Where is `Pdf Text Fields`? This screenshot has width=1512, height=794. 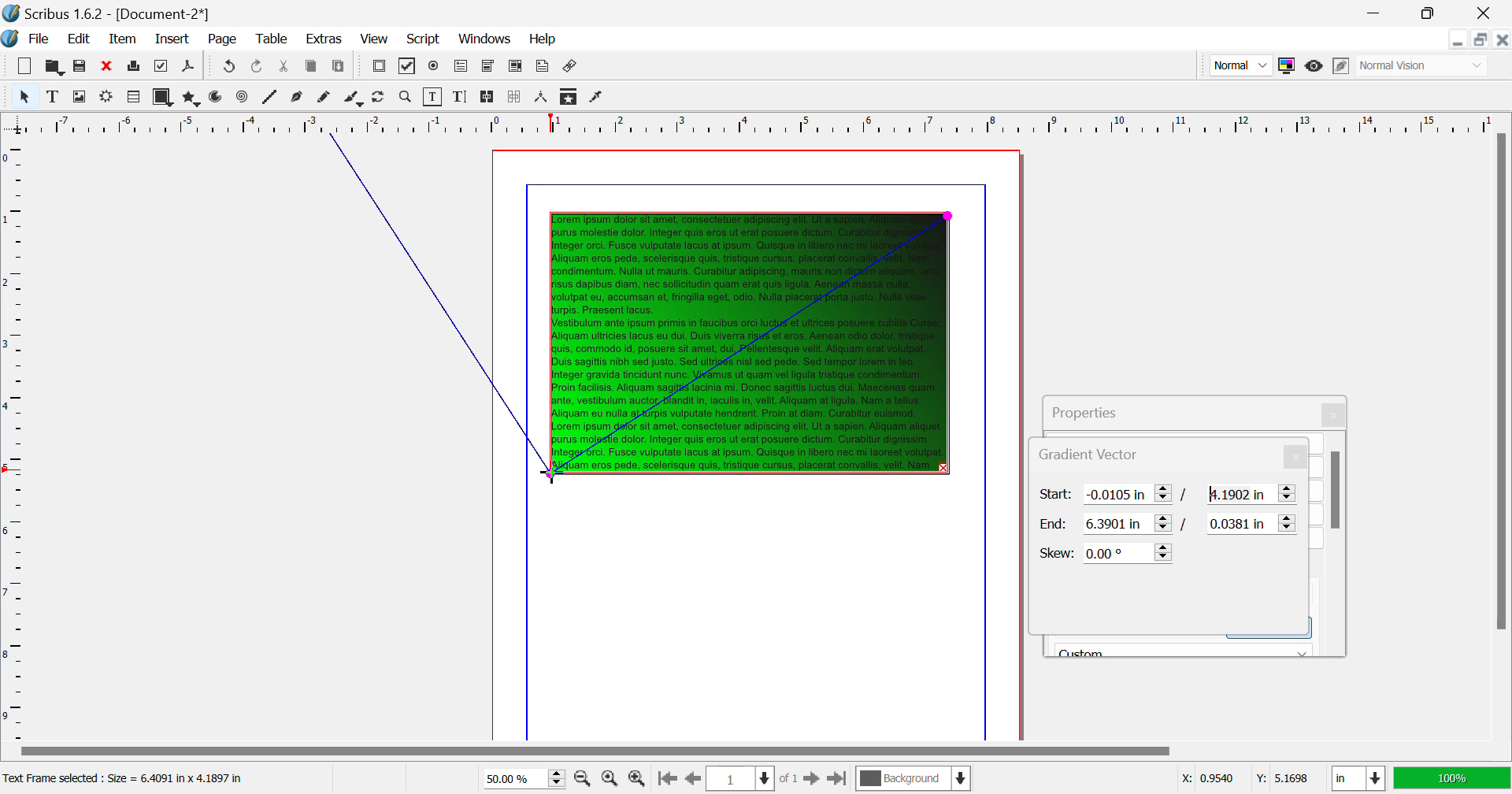
Pdf Text Fields is located at coordinates (461, 67).